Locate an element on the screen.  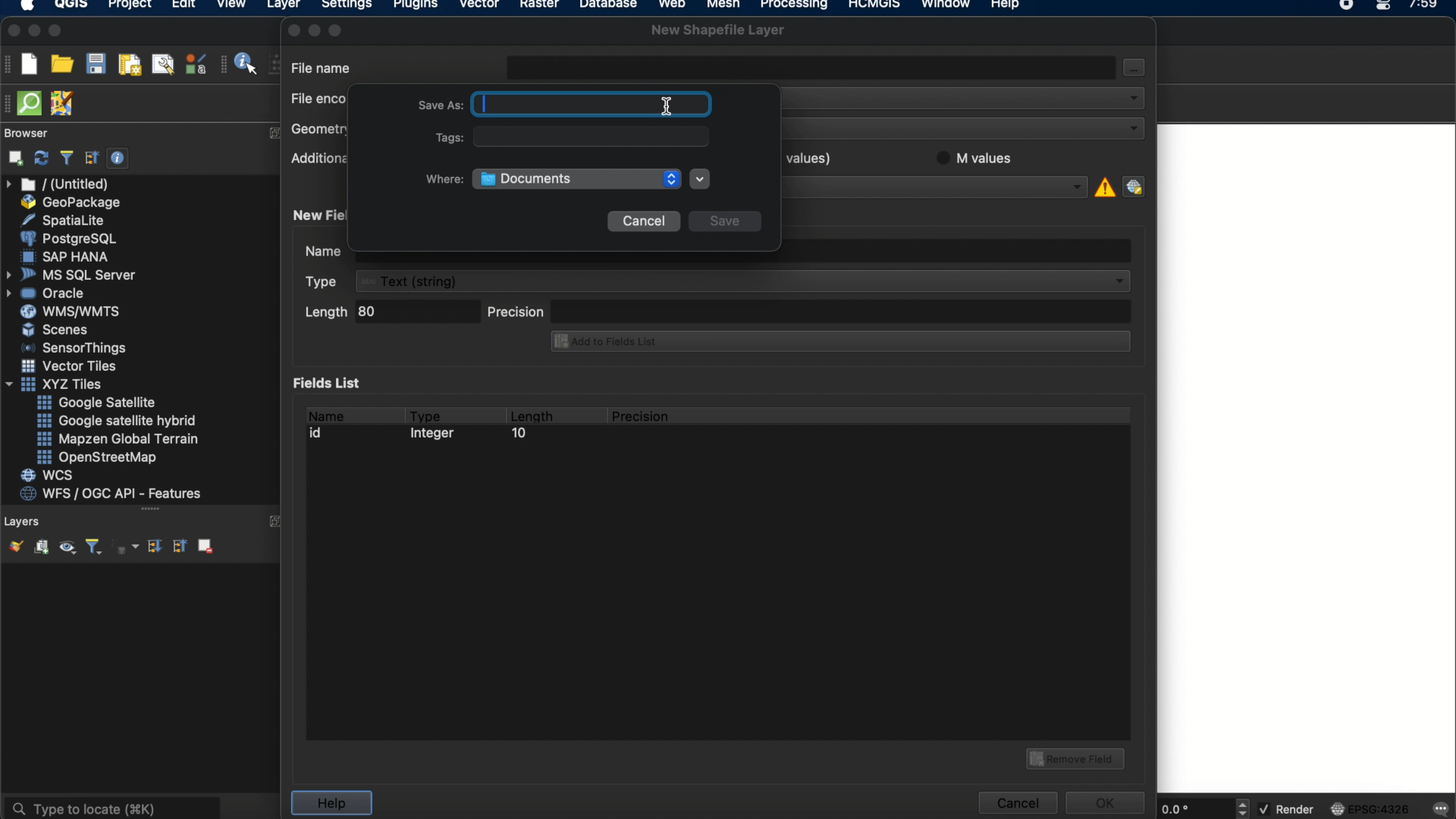
enable/disable properties widget is located at coordinates (118, 158).